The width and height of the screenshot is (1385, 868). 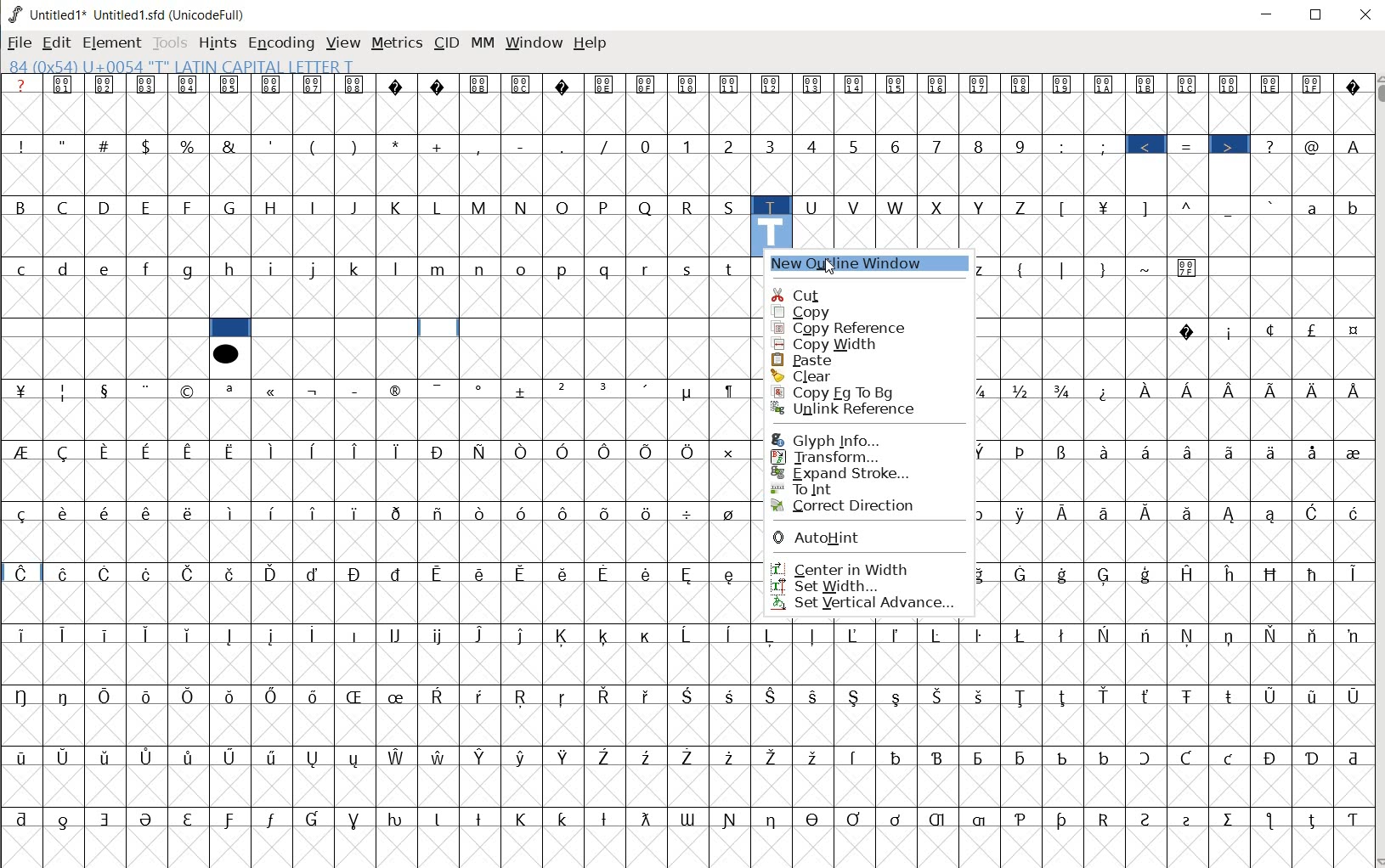 What do you see at coordinates (66, 636) in the screenshot?
I see `Symbol` at bounding box center [66, 636].